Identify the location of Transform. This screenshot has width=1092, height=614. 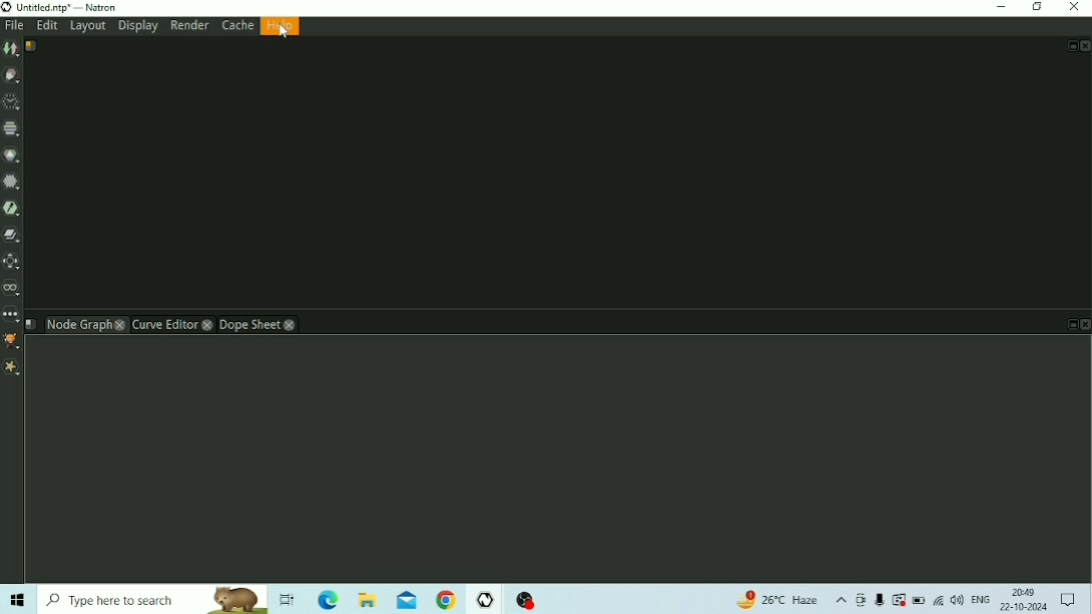
(12, 261).